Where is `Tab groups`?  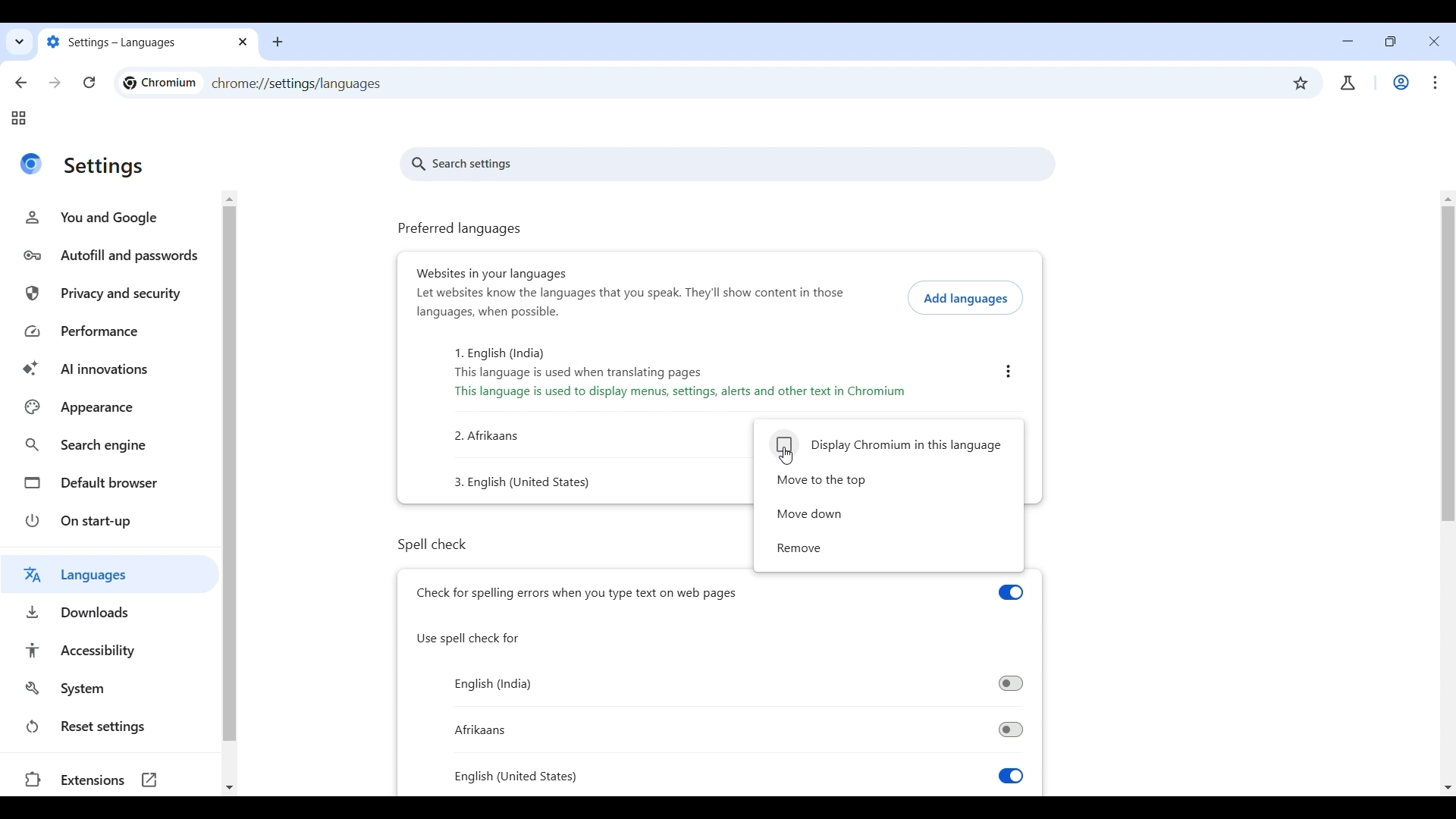 Tab groups is located at coordinates (18, 118).